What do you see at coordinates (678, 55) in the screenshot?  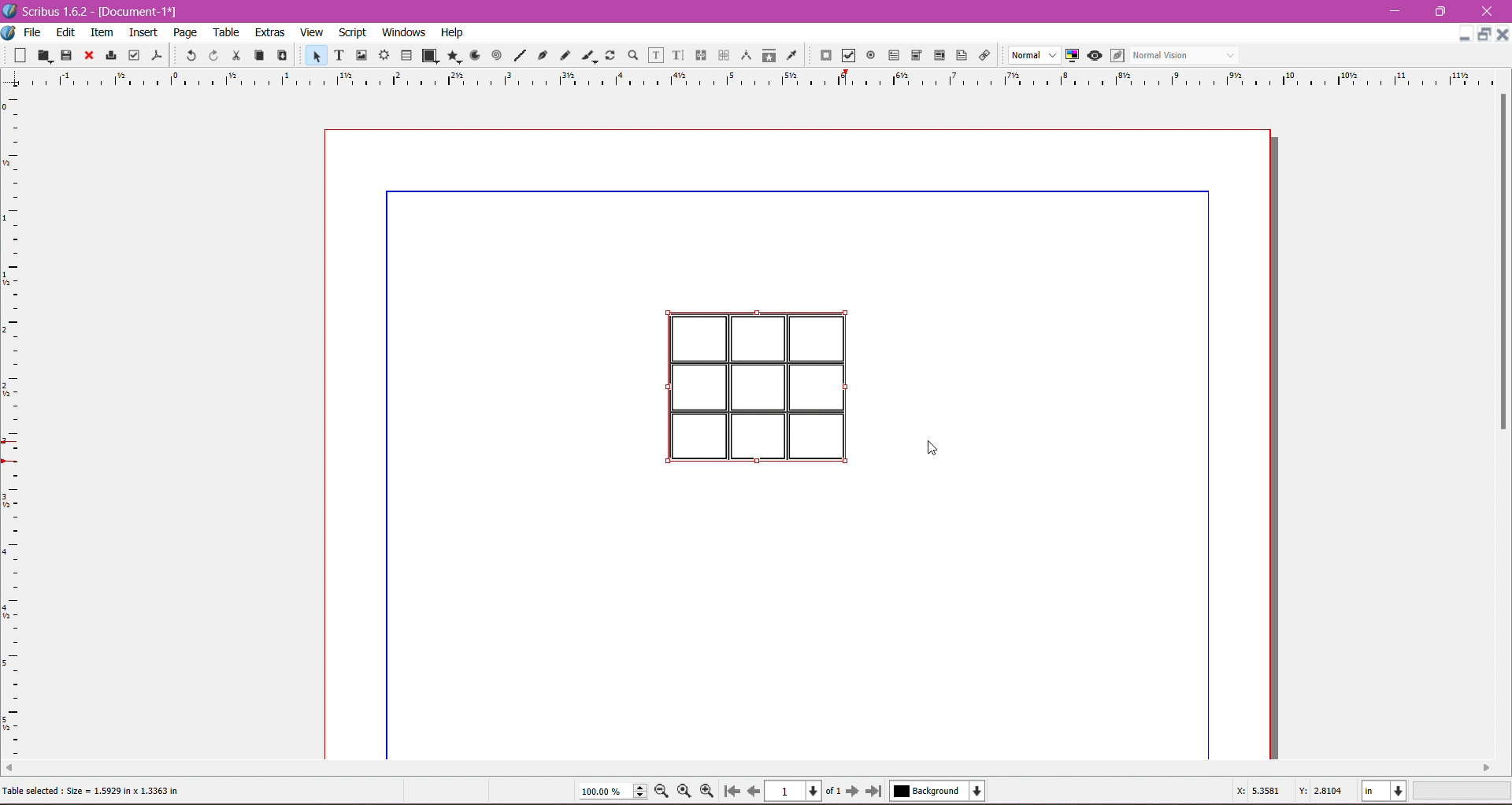 I see `Edit Text with Story` at bounding box center [678, 55].